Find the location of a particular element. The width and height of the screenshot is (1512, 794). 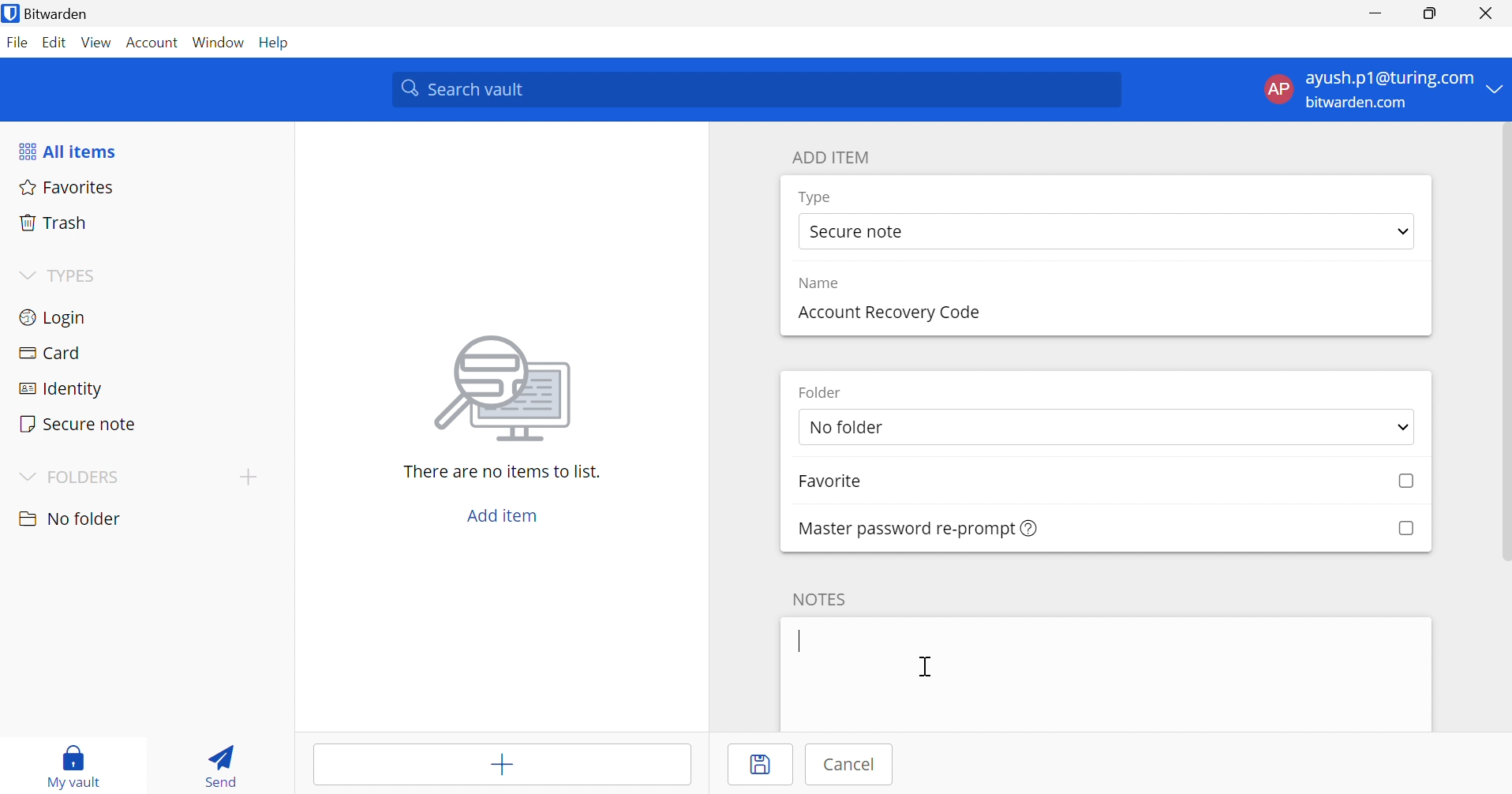

dropdown is located at coordinates (1398, 427).